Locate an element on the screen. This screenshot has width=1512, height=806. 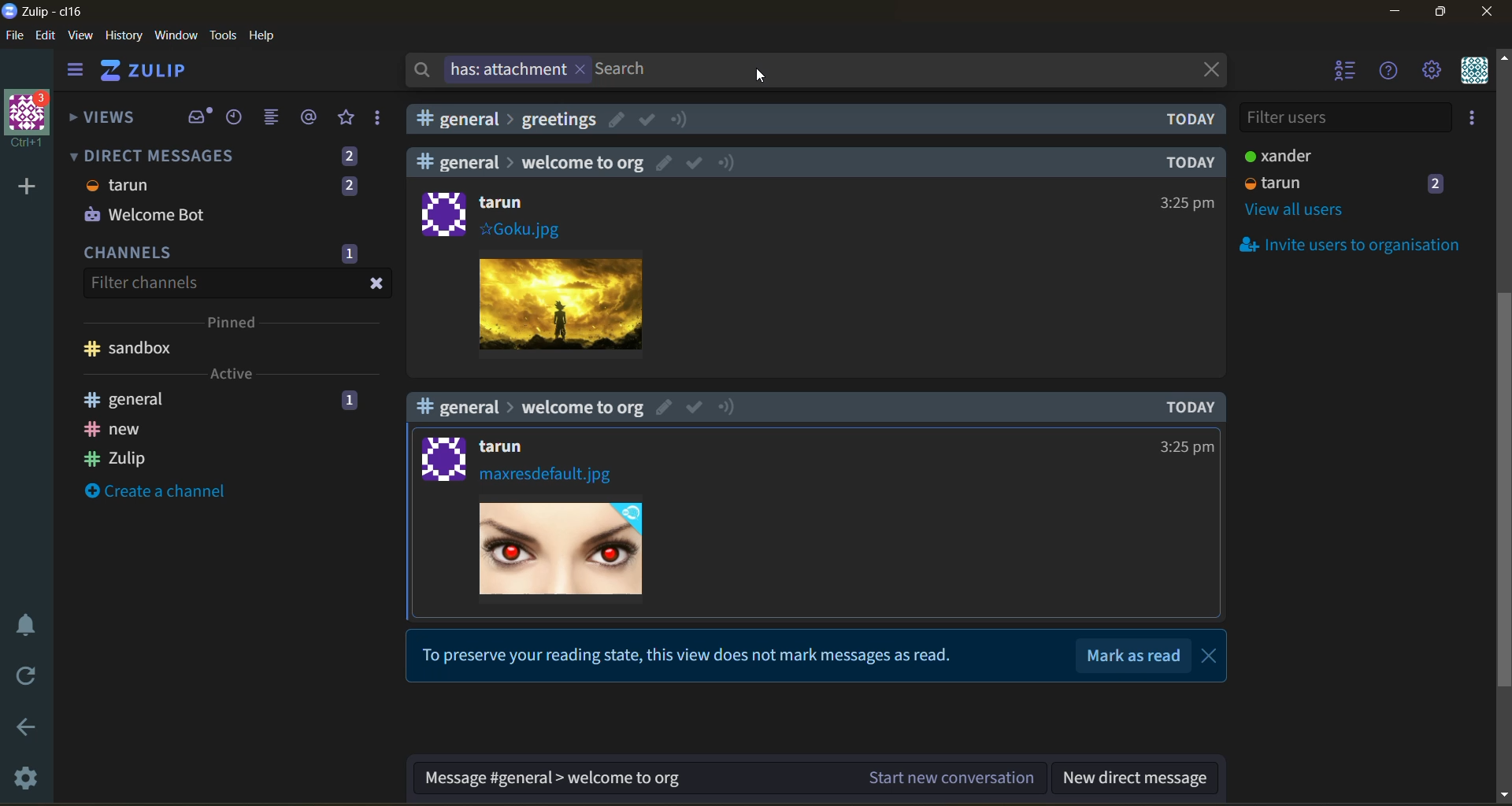
Mark as read is located at coordinates (1136, 655).